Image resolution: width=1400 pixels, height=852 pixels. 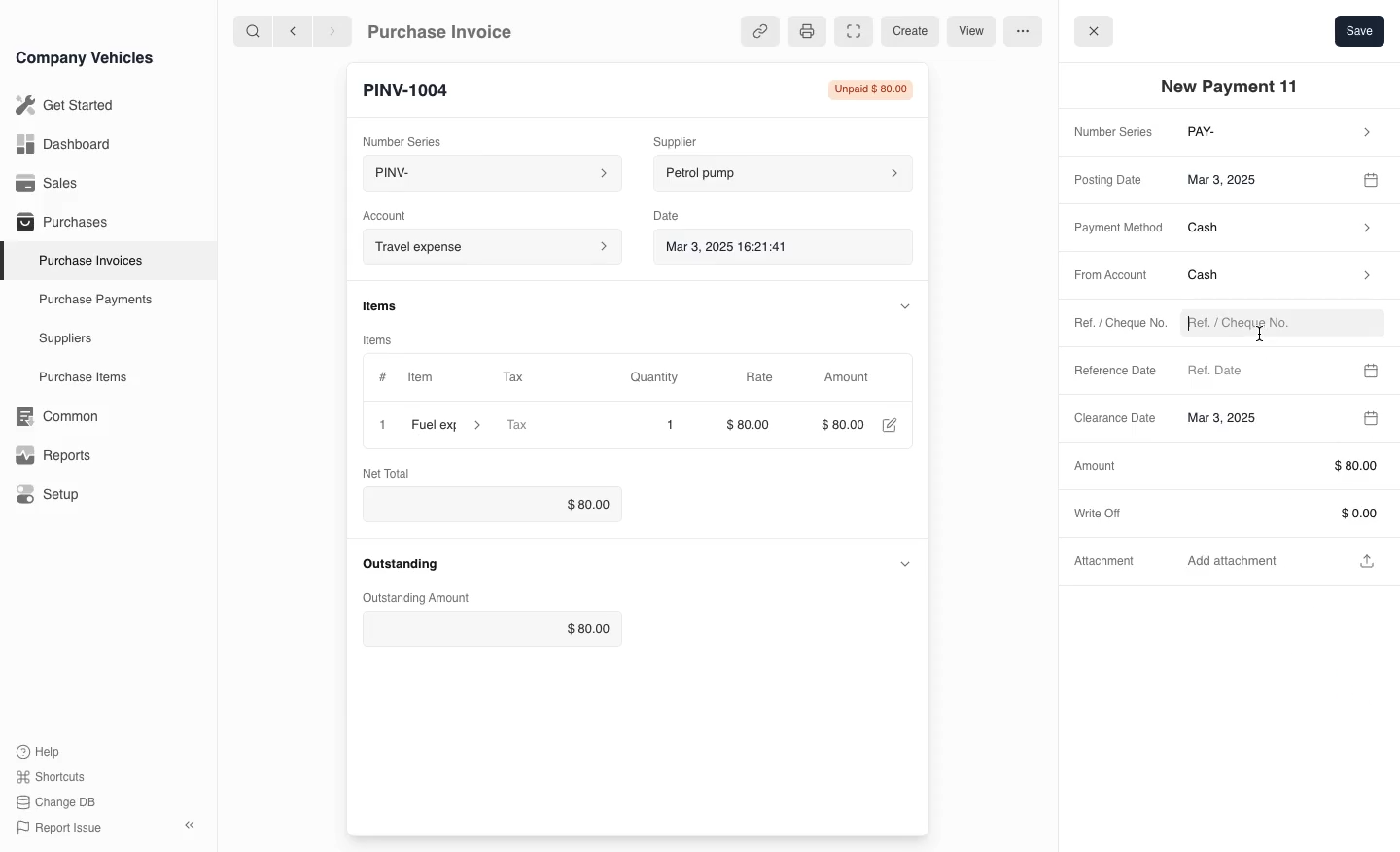 What do you see at coordinates (390, 472) in the screenshot?
I see `Net Total` at bounding box center [390, 472].